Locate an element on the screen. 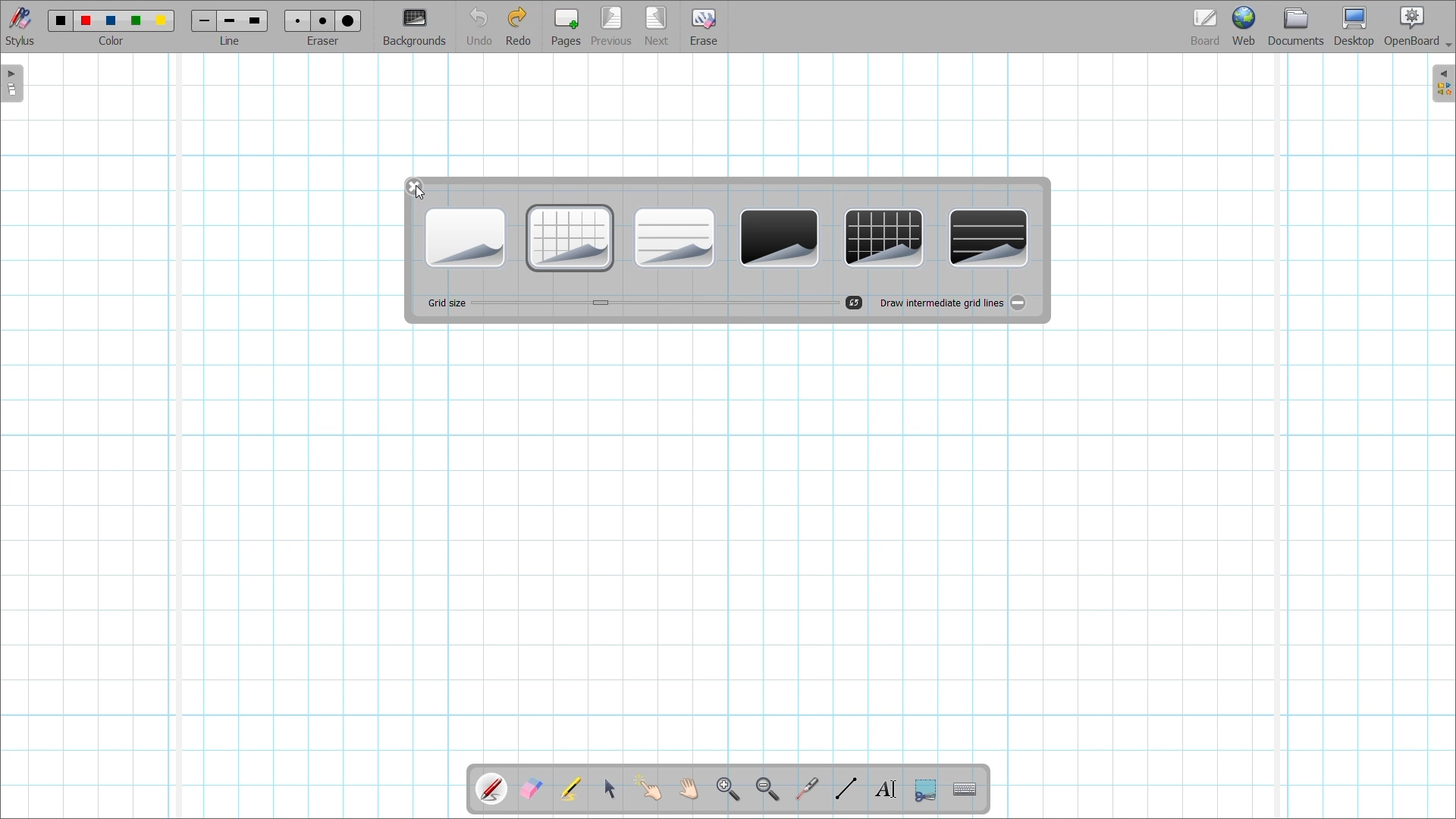  Add page is located at coordinates (566, 27).